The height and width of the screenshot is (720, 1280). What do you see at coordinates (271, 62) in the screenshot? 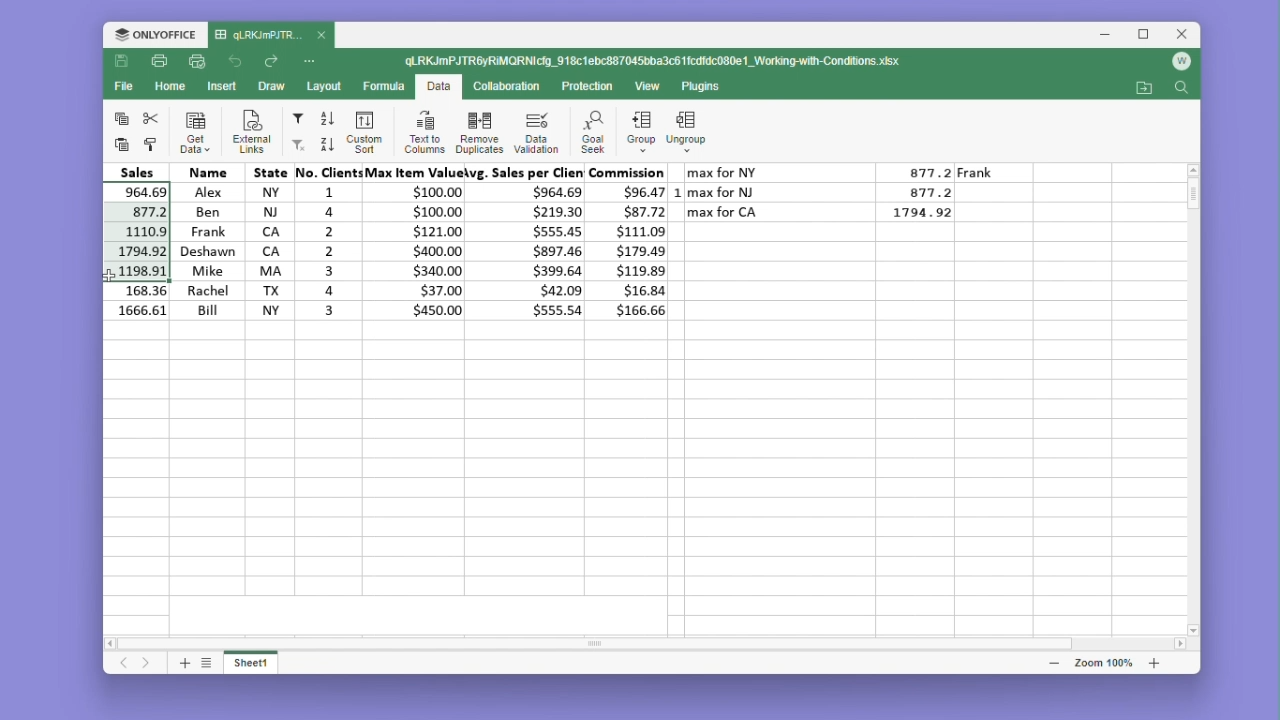
I see `Go forward` at bounding box center [271, 62].